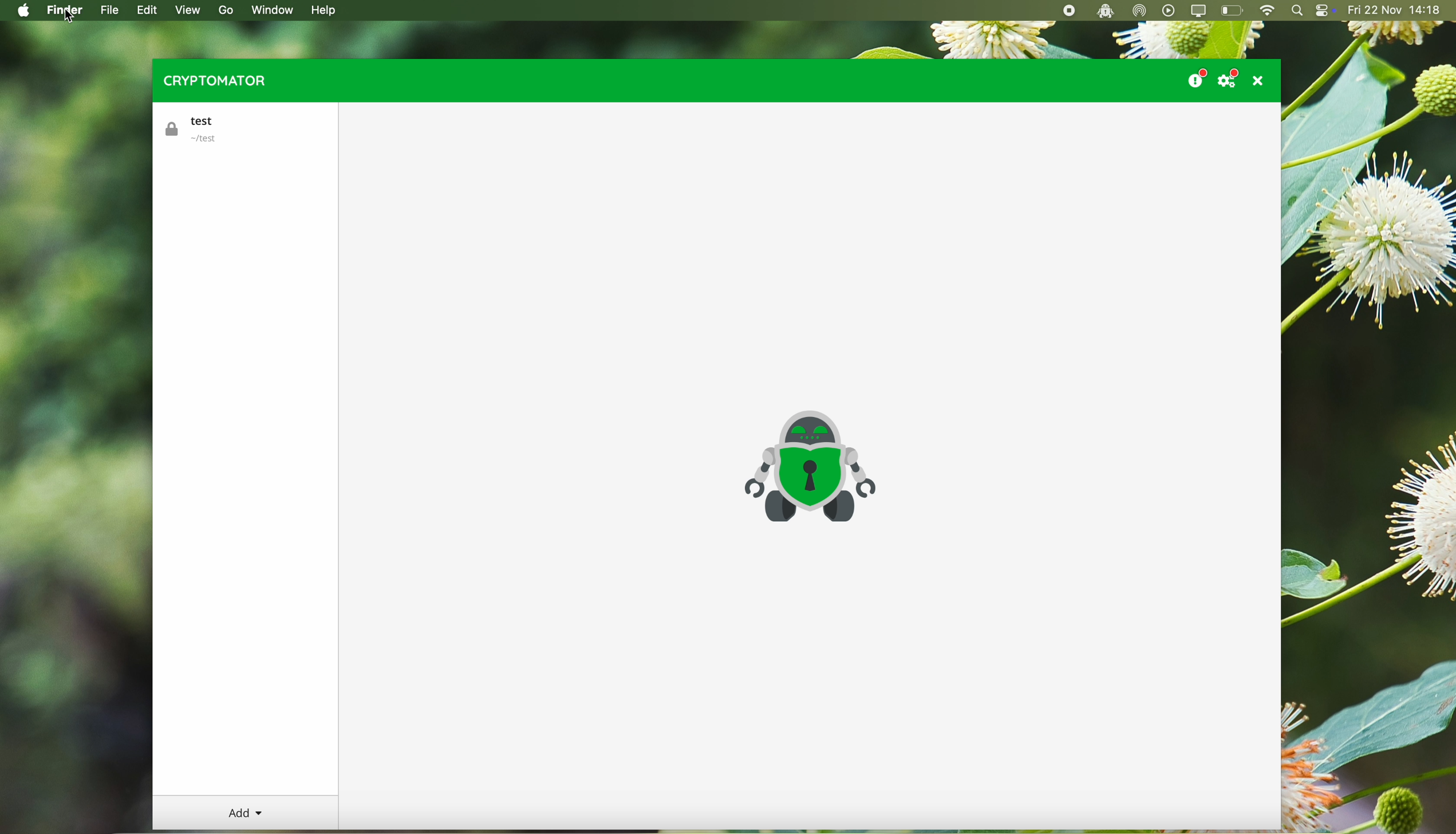 This screenshot has width=1456, height=834. What do you see at coordinates (1169, 10) in the screenshot?
I see `play` at bounding box center [1169, 10].